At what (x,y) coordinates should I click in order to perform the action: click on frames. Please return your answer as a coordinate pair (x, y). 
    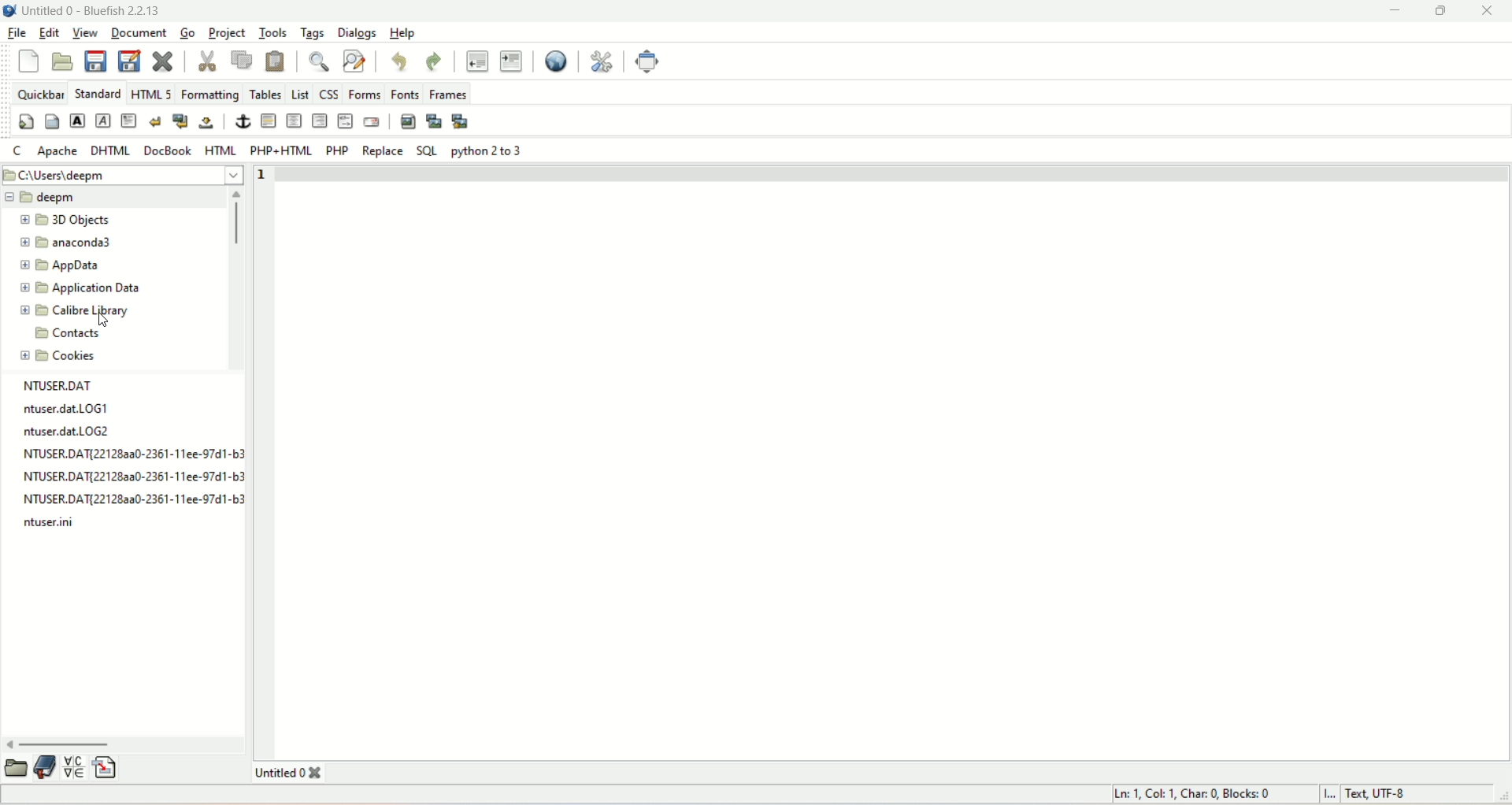
    Looking at the image, I should click on (448, 94).